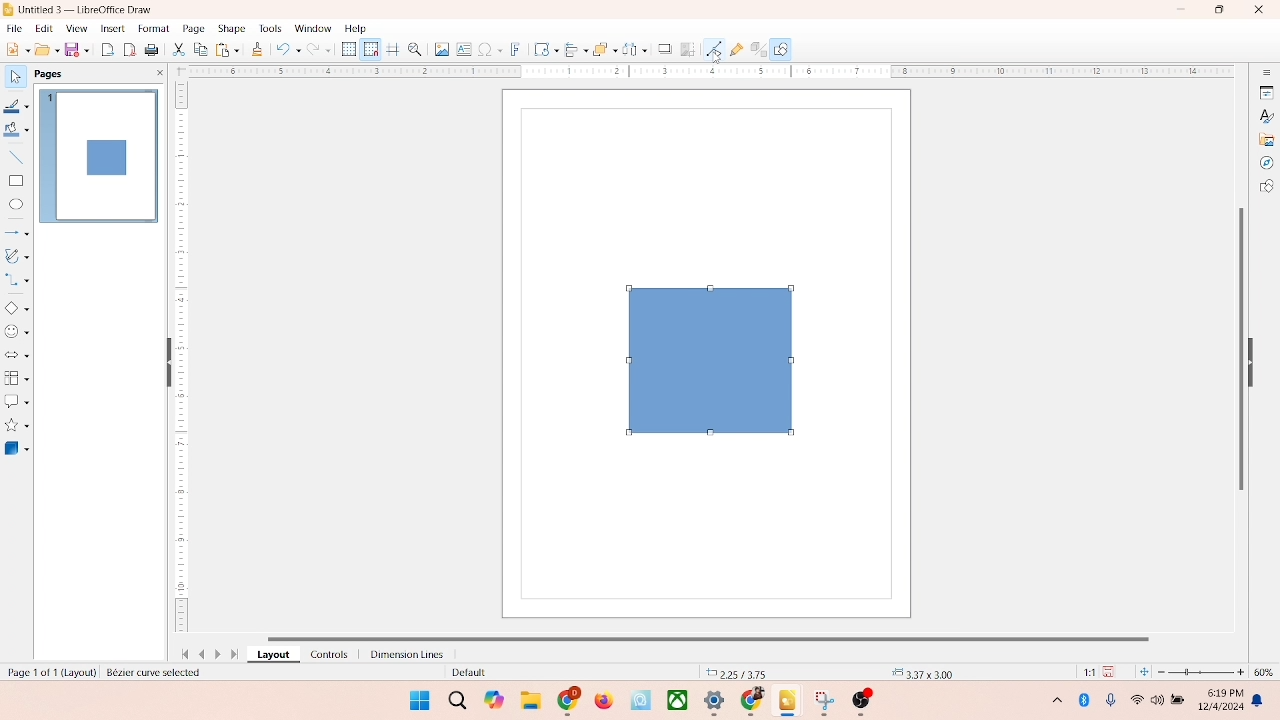 The width and height of the screenshot is (1280, 720). I want to click on export, so click(110, 48).